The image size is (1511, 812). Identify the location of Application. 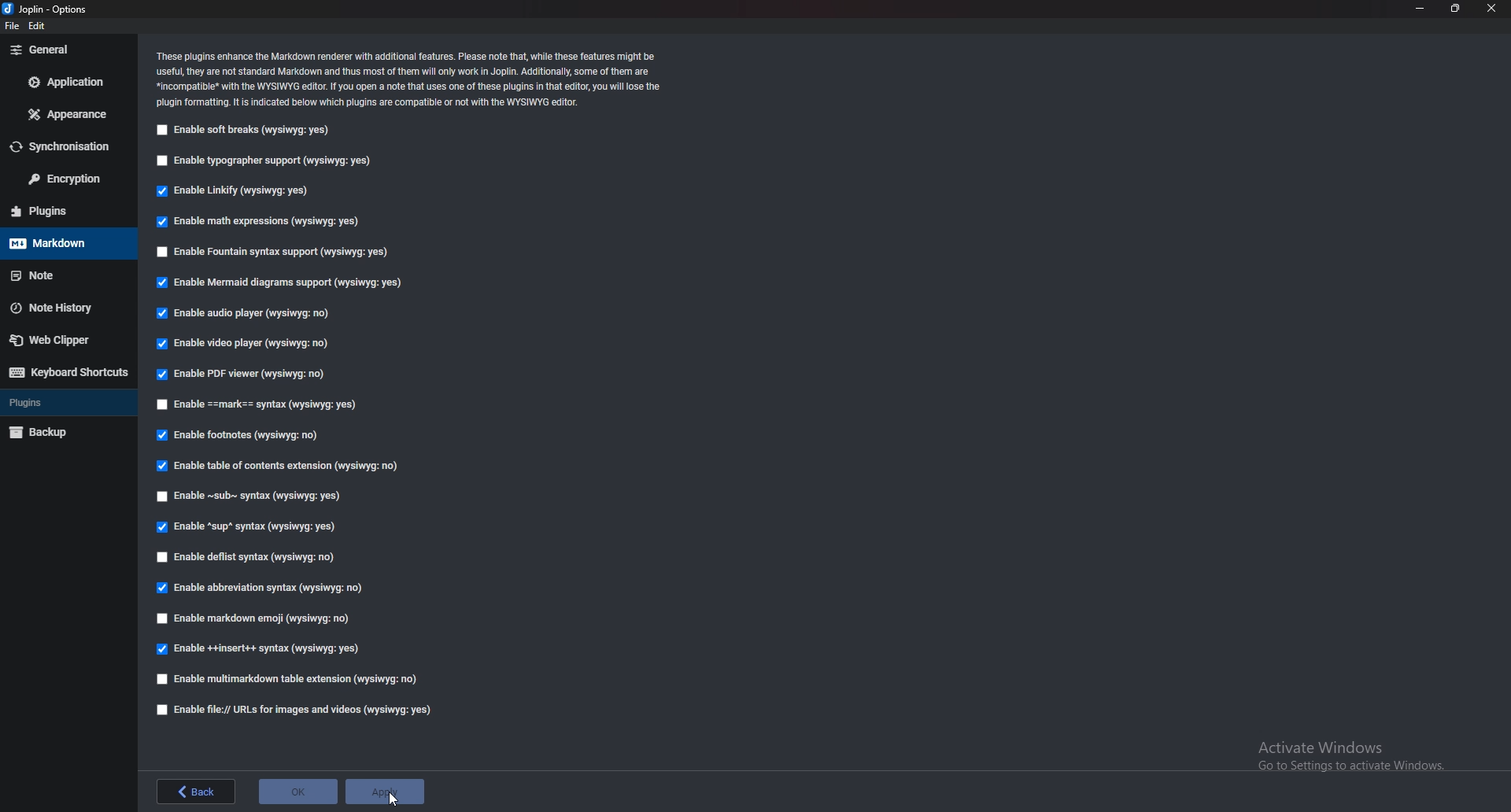
(65, 83).